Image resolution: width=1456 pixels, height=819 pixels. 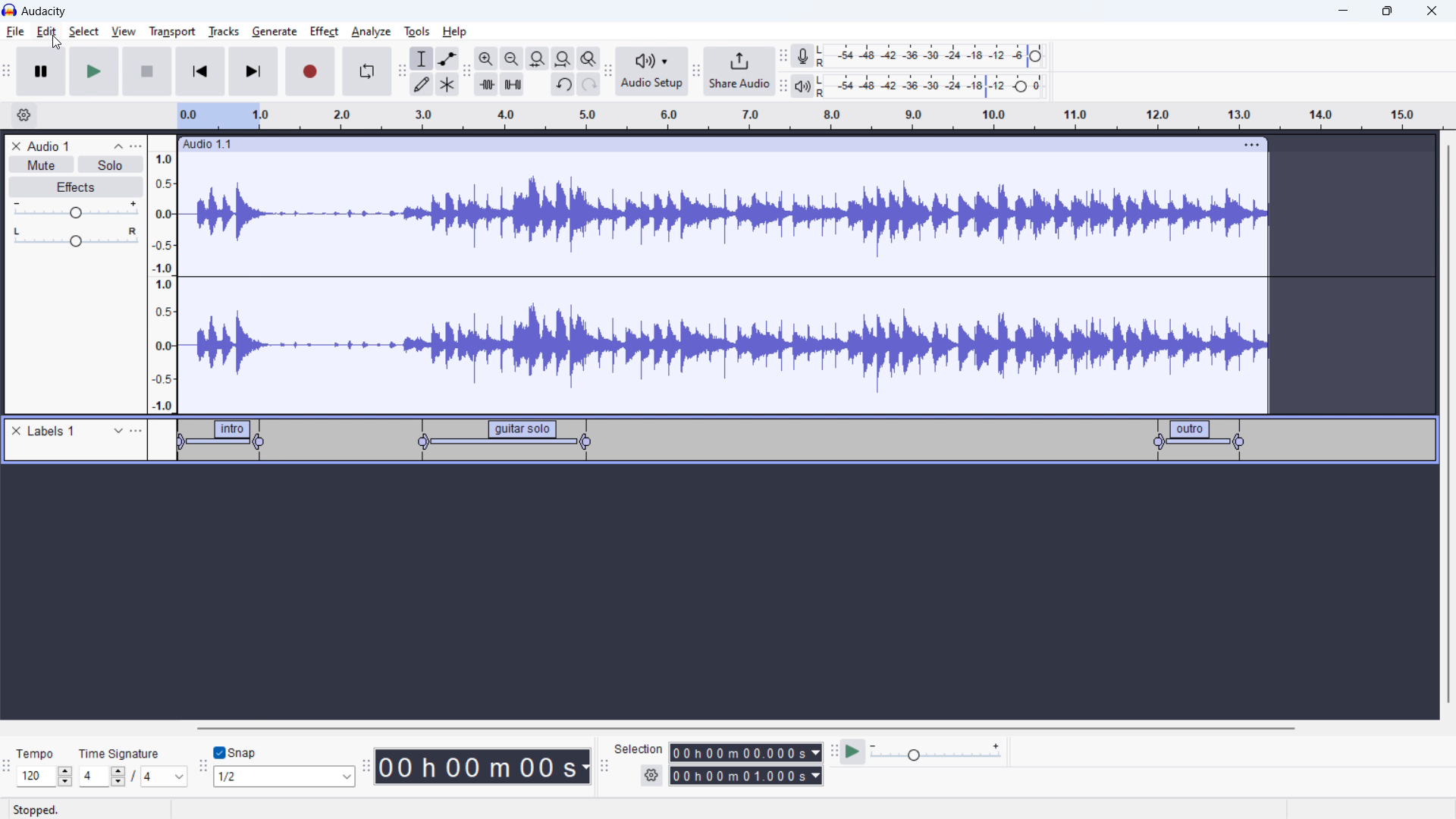 I want to click on generate, so click(x=275, y=31).